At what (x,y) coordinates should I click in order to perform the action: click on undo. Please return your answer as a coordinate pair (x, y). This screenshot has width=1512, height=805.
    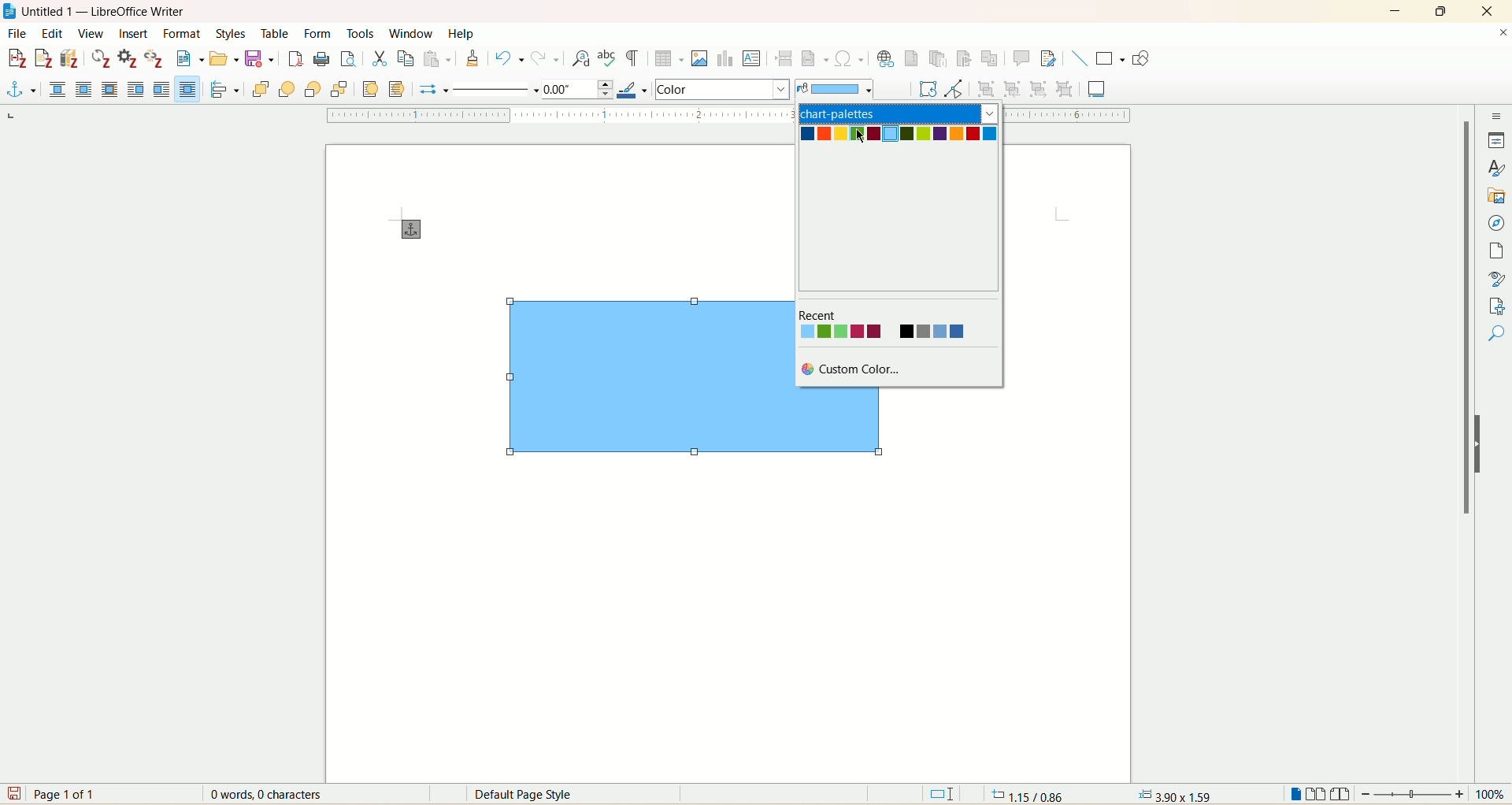
    Looking at the image, I should click on (511, 61).